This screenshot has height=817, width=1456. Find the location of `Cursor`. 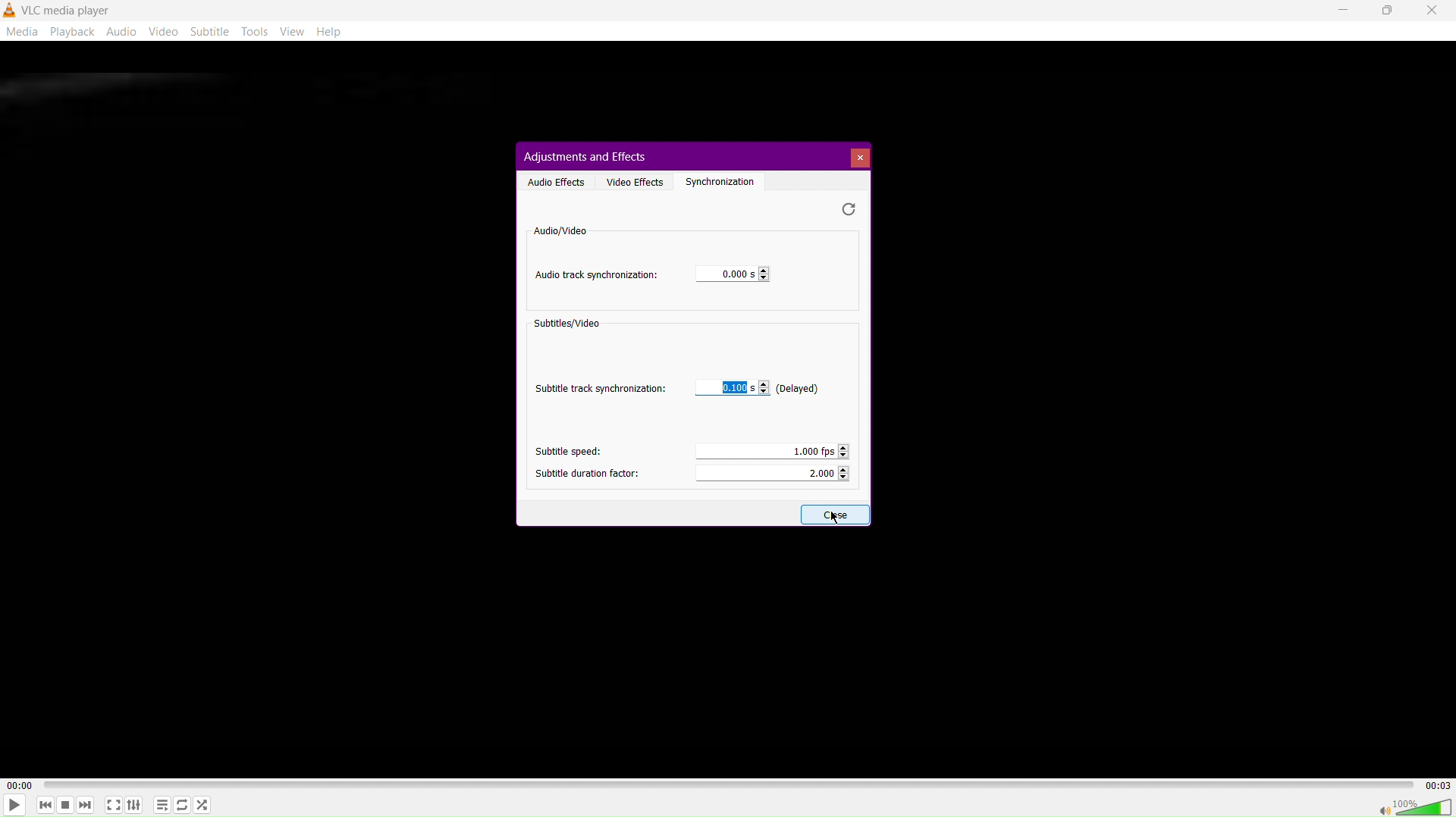

Cursor is located at coordinates (836, 515).